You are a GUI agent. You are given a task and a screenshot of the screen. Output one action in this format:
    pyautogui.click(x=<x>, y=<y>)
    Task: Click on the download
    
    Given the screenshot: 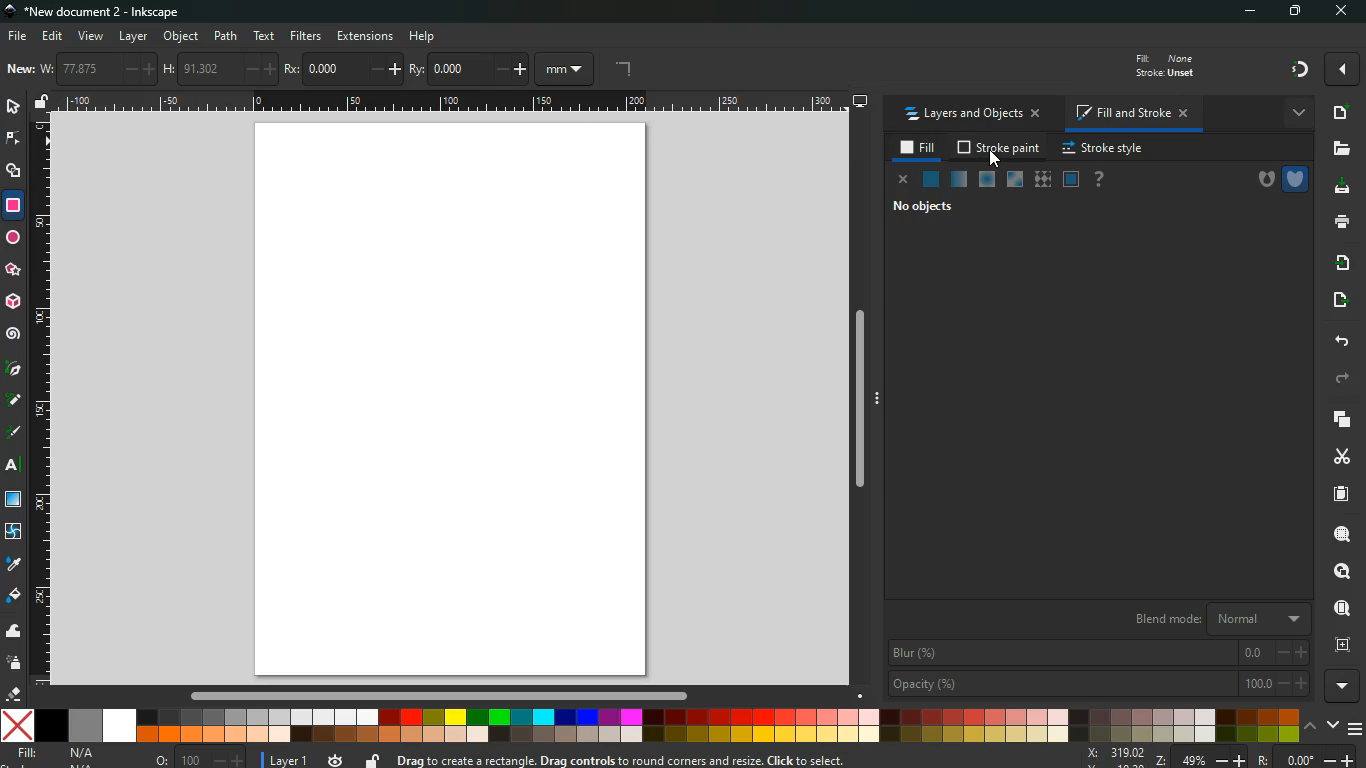 What is the action you would take?
    pyautogui.click(x=1340, y=188)
    